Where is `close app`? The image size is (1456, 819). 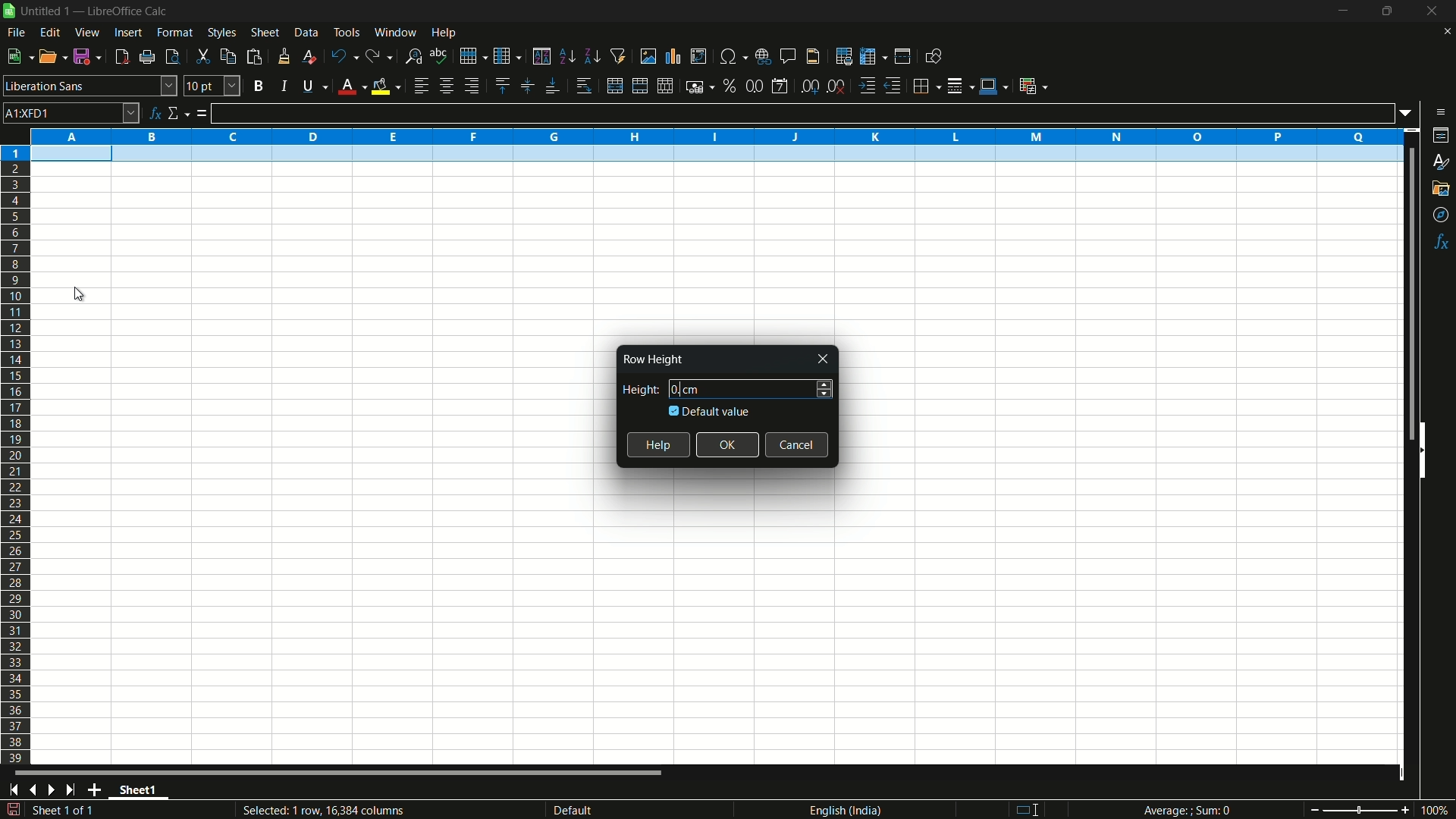 close app is located at coordinates (1428, 11).